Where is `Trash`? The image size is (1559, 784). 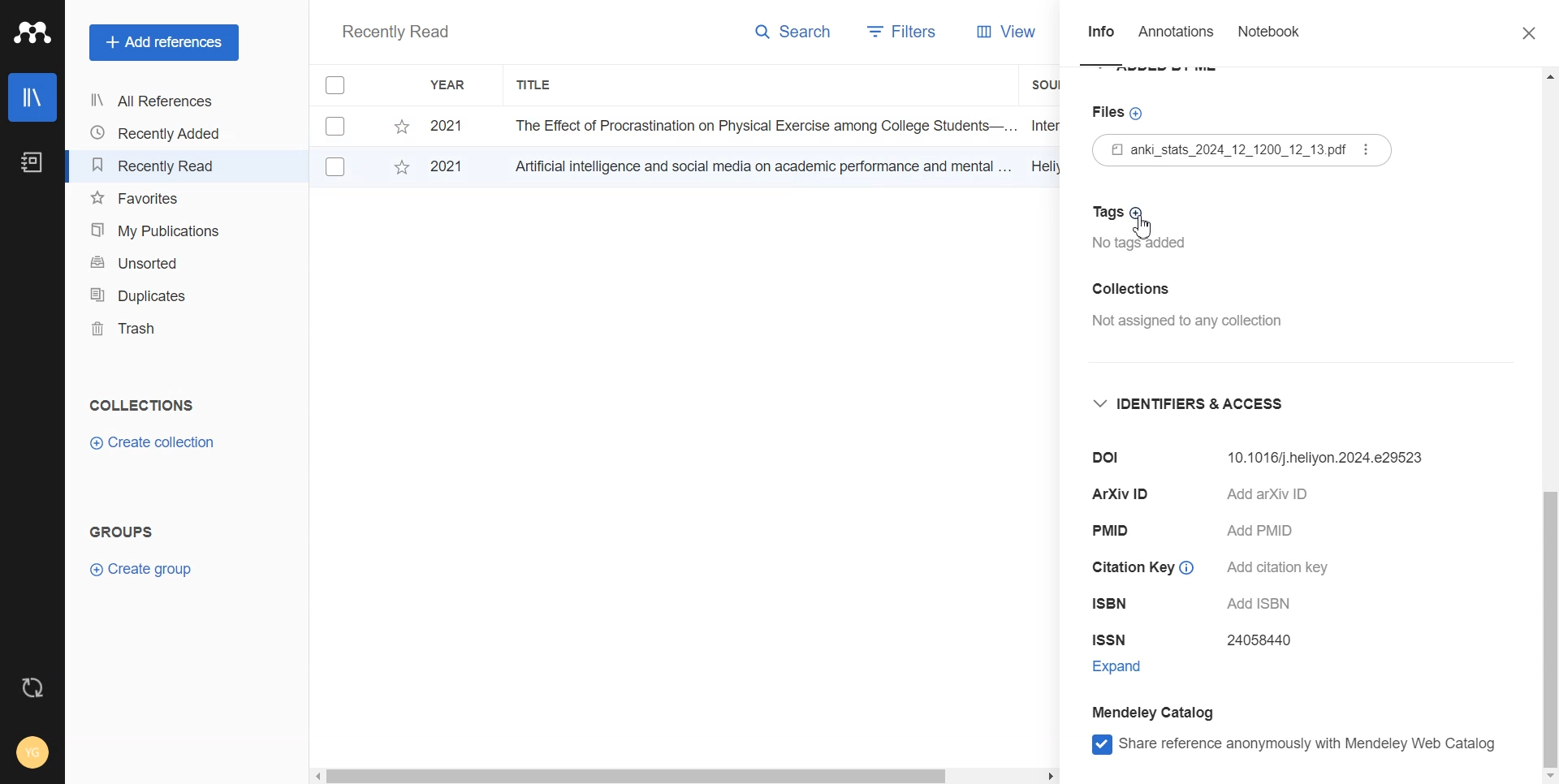 Trash is located at coordinates (159, 329).